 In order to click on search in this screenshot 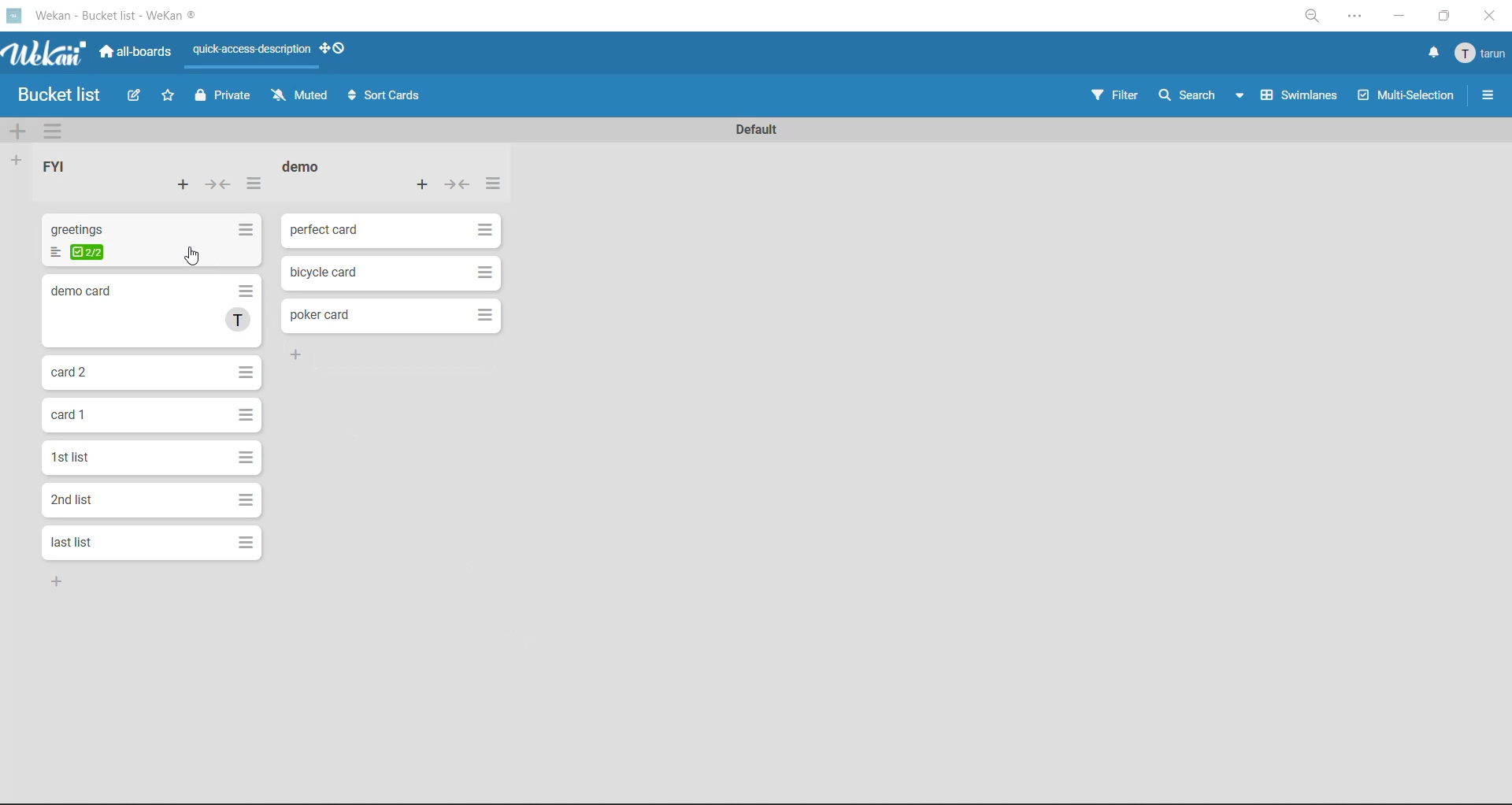, I will do `click(1203, 96)`.